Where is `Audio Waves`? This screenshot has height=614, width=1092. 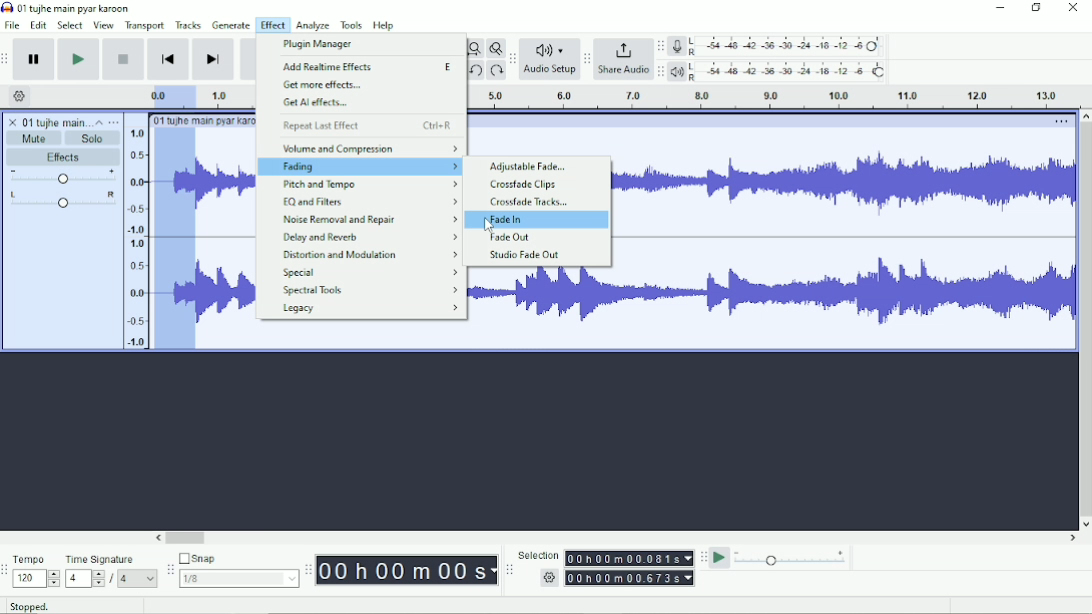
Audio Waves is located at coordinates (844, 186).